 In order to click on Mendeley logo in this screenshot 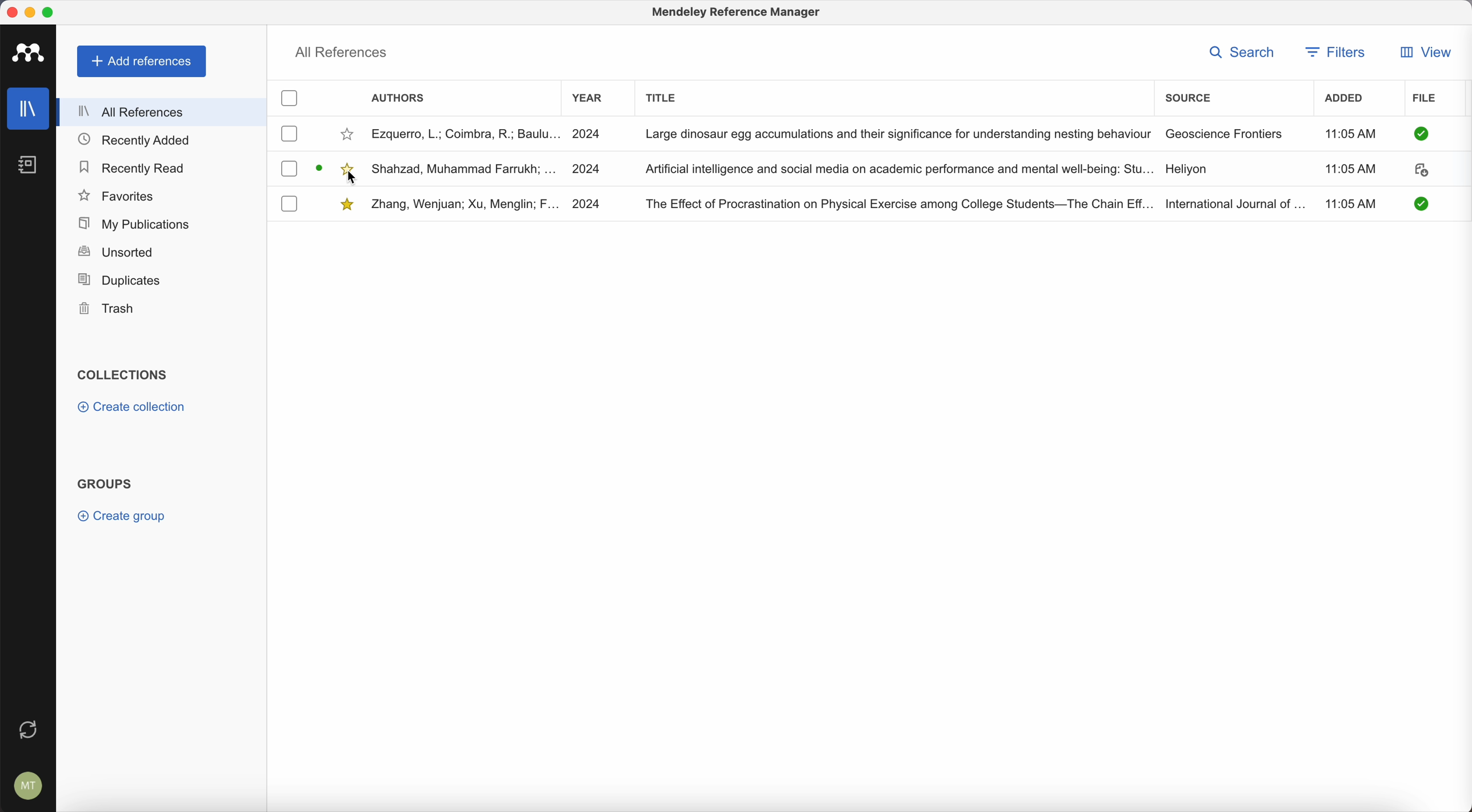, I will do `click(31, 54)`.